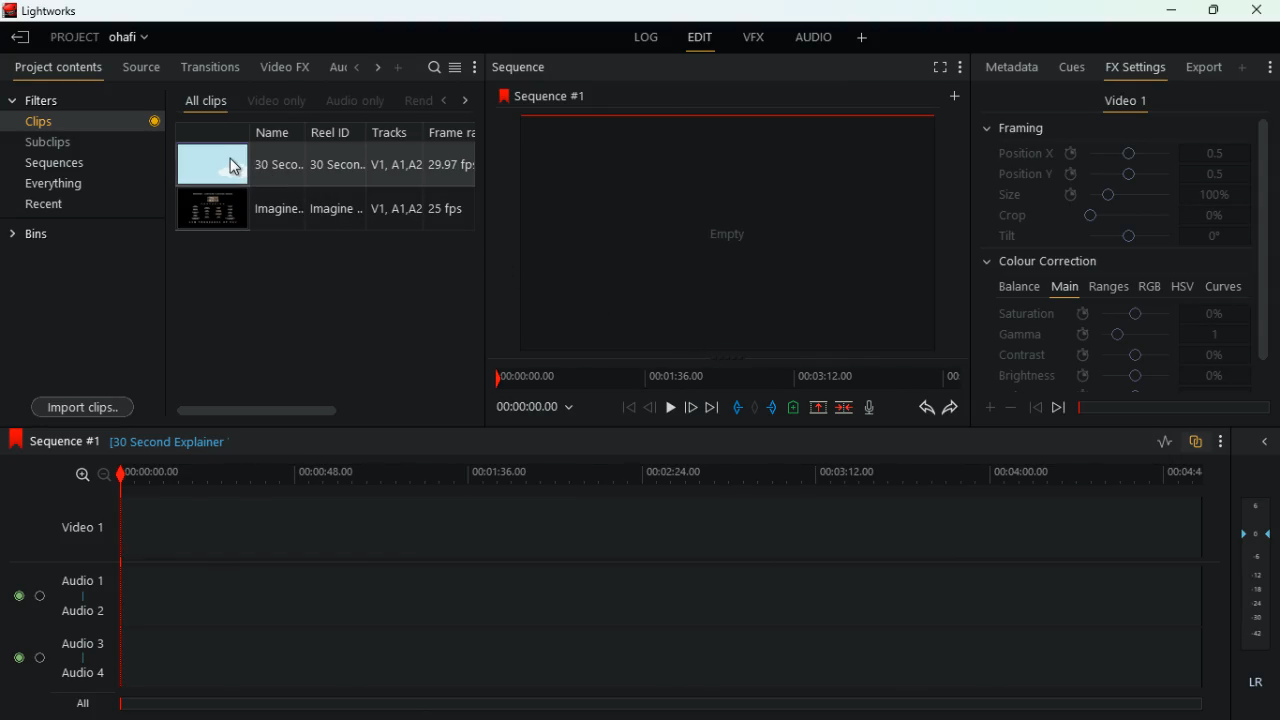 The image size is (1280, 720). I want to click on project content, so click(59, 69).